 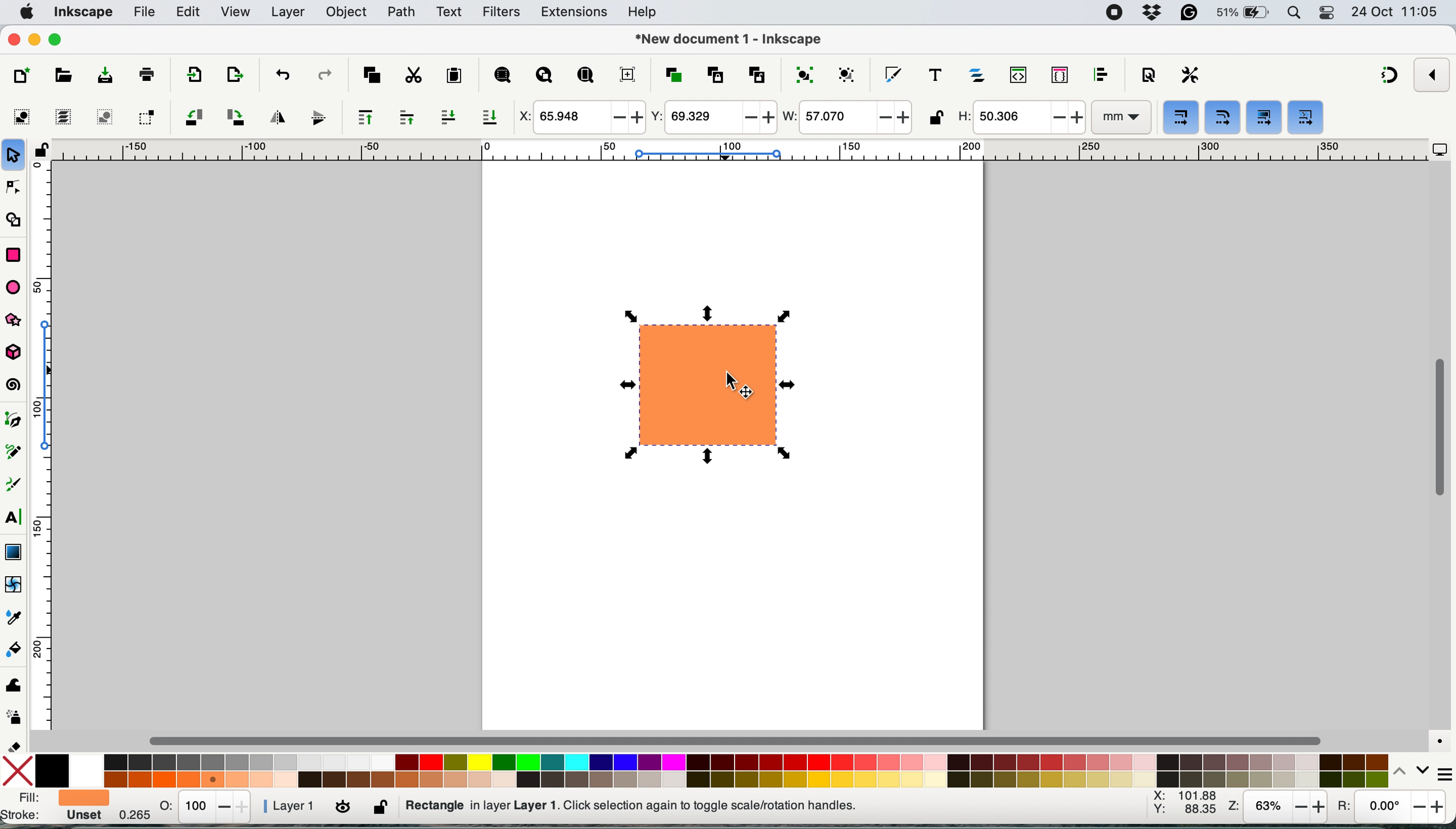 I want to click on file, so click(x=143, y=13).